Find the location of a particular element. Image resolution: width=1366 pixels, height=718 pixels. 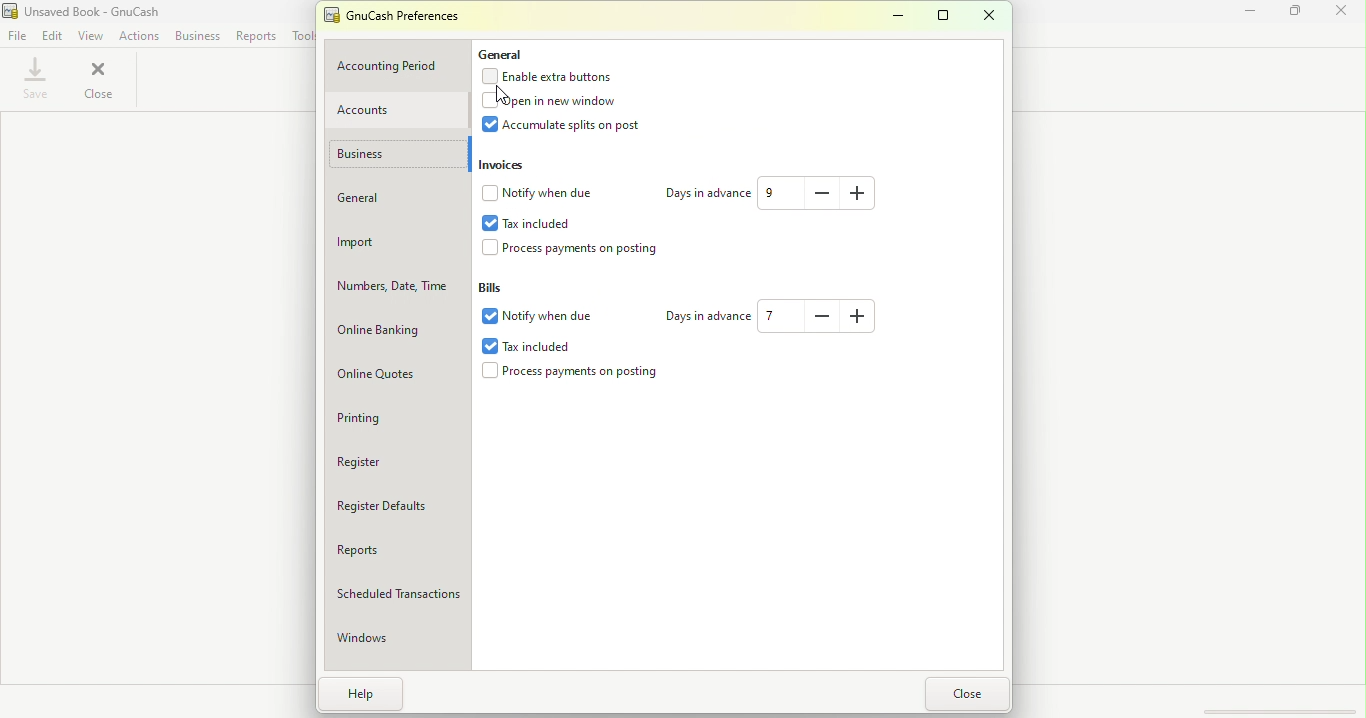

Close is located at coordinates (991, 16).